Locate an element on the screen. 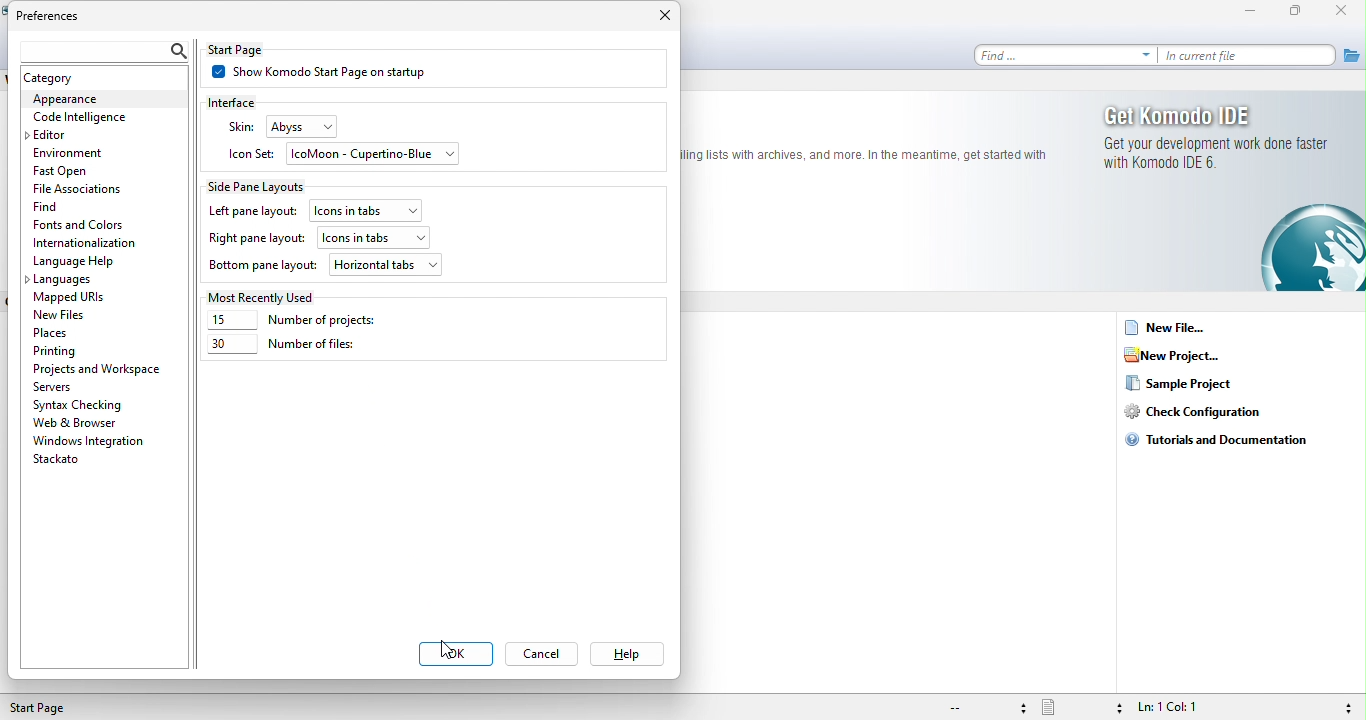 The image size is (1366, 720). code intelligence is located at coordinates (80, 118).